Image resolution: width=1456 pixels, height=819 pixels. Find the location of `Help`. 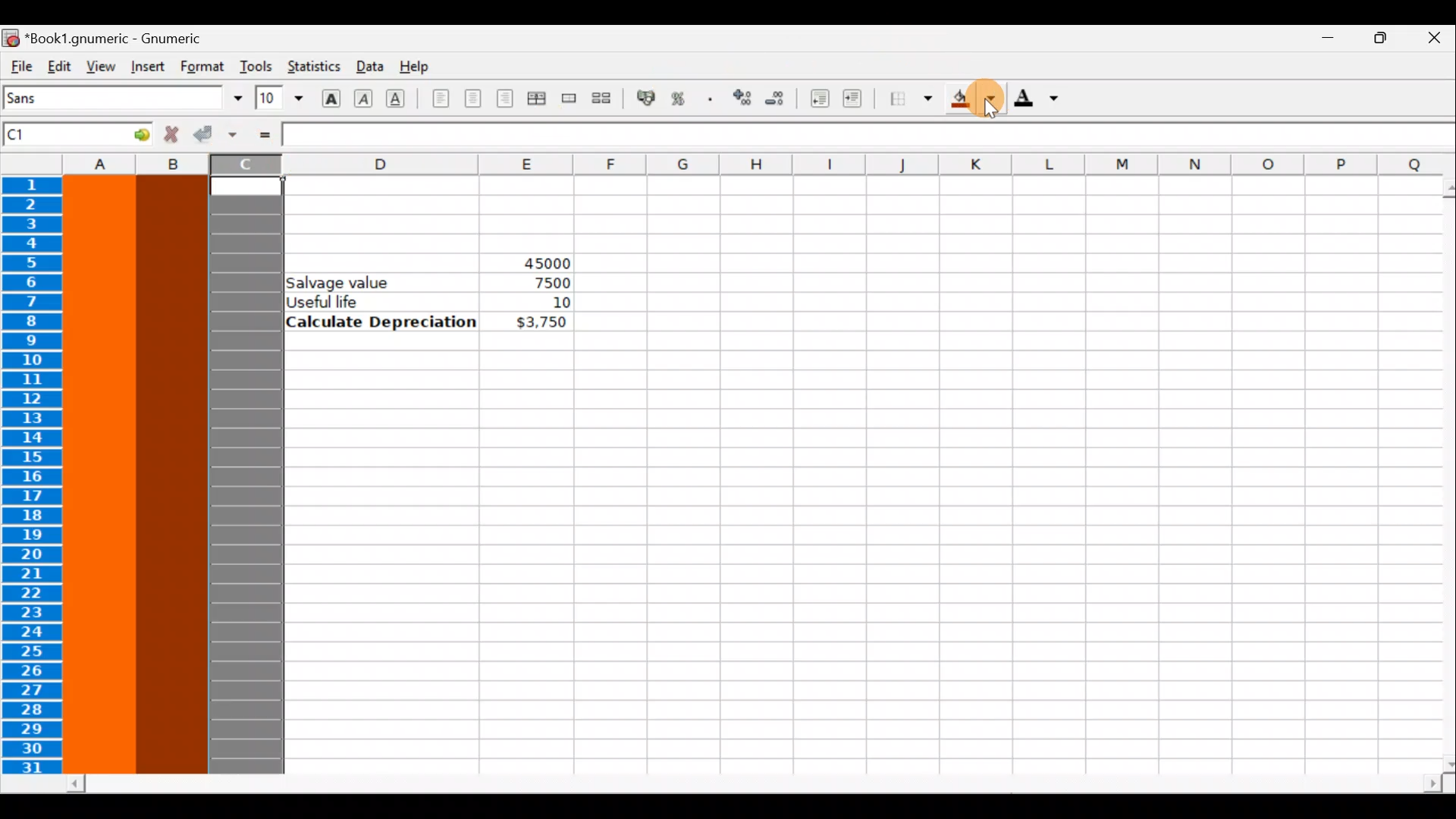

Help is located at coordinates (419, 67).